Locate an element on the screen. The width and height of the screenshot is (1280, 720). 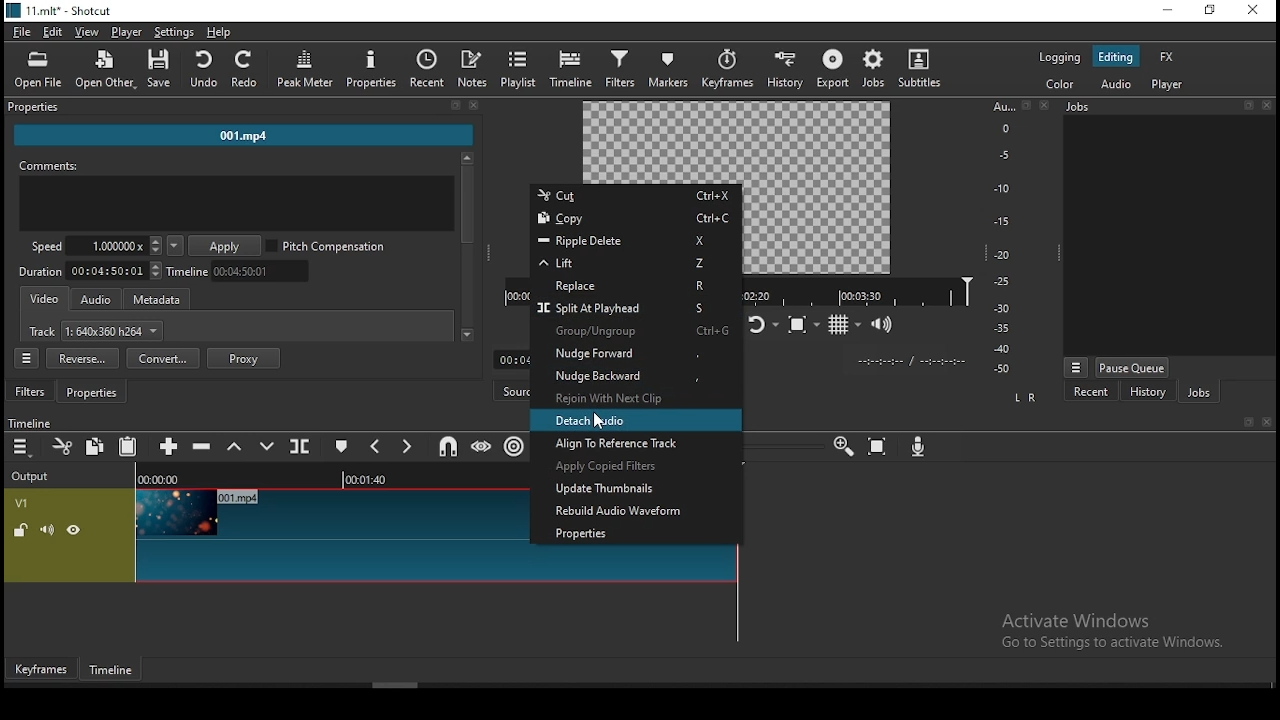
toggle grid display on the player is located at coordinates (847, 325).